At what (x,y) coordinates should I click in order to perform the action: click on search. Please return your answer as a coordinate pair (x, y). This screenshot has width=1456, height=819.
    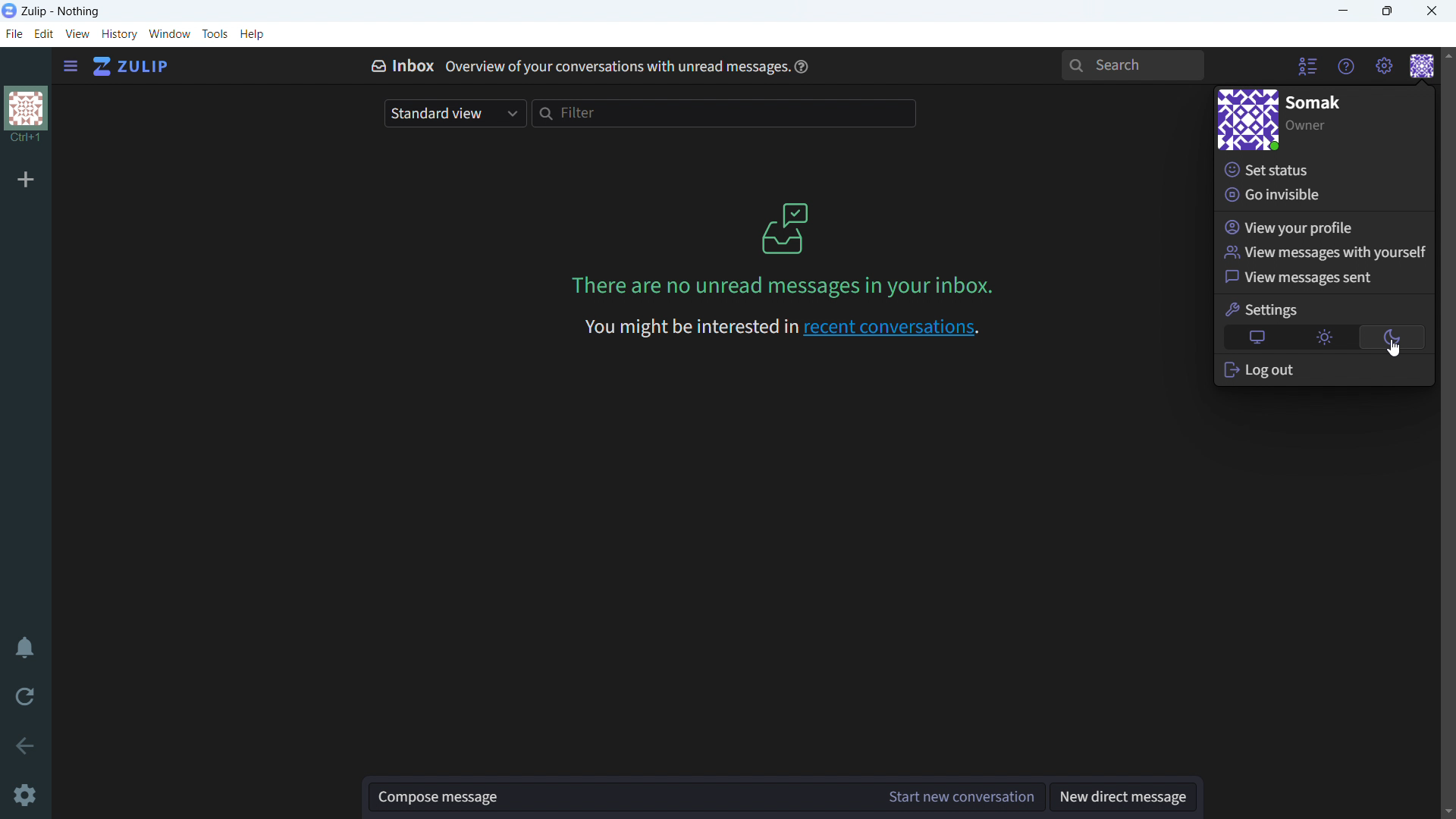
    Looking at the image, I should click on (1133, 65).